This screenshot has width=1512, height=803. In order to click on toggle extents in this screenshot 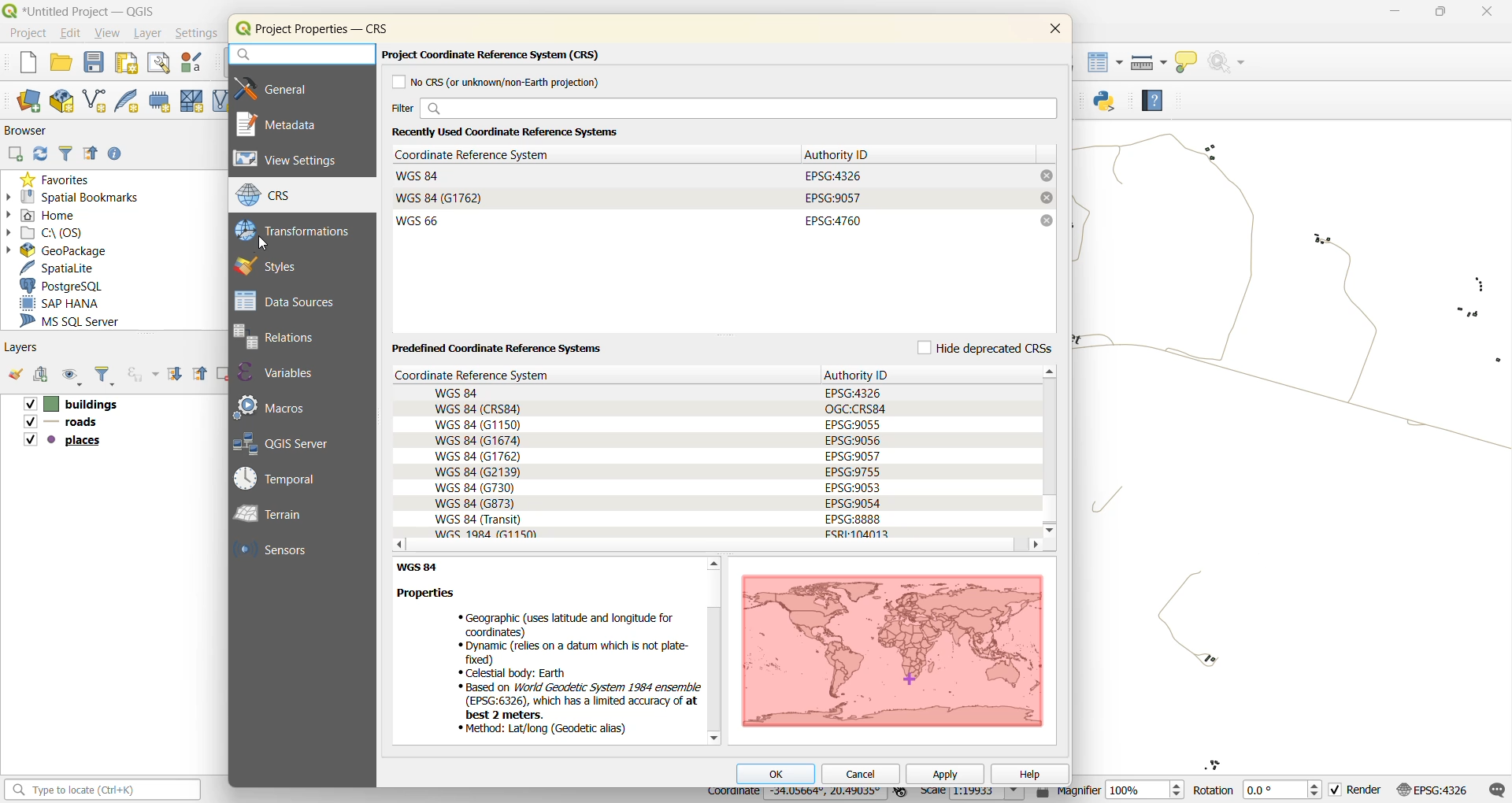, I will do `click(902, 794)`.